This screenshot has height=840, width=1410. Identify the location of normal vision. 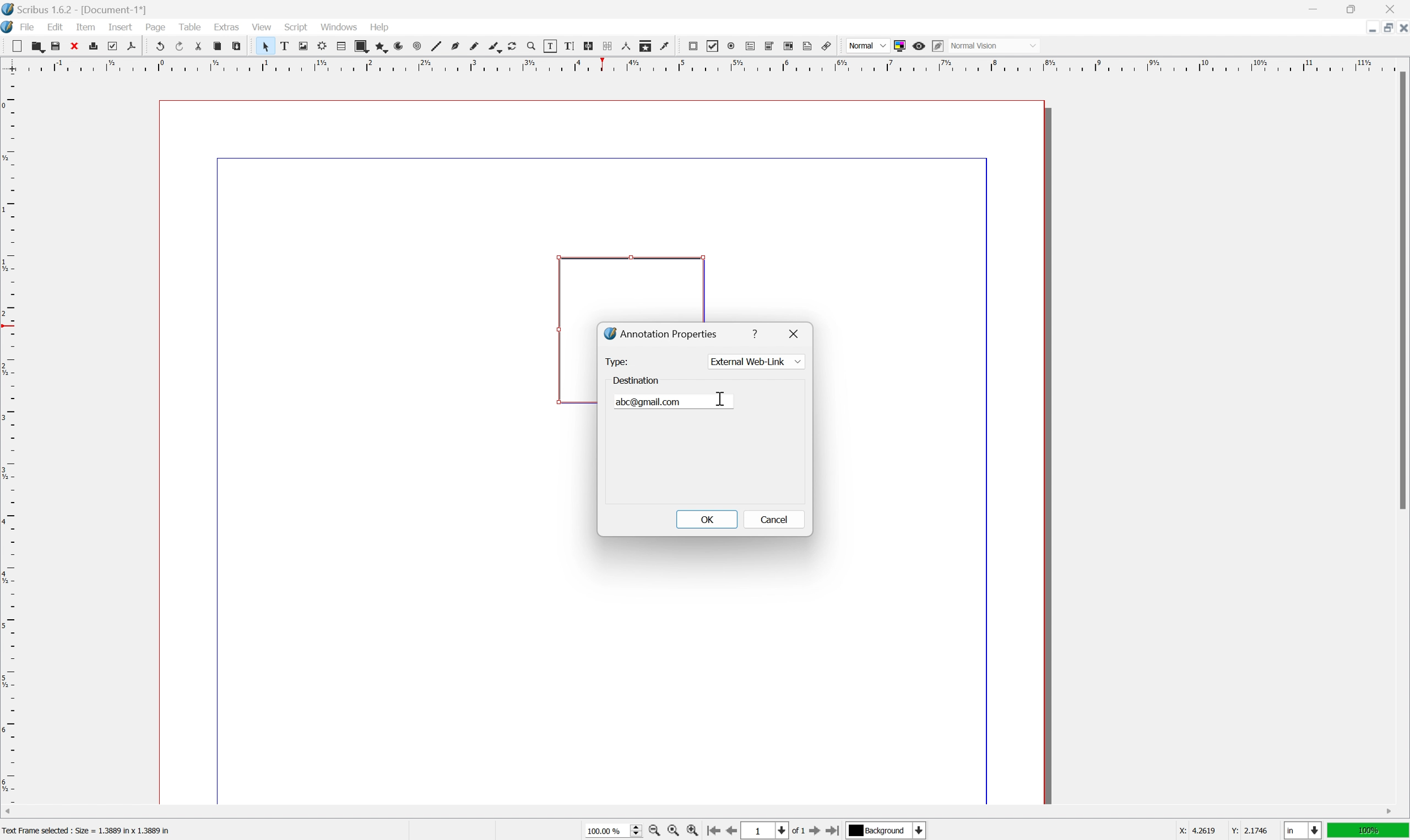
(993, 45).